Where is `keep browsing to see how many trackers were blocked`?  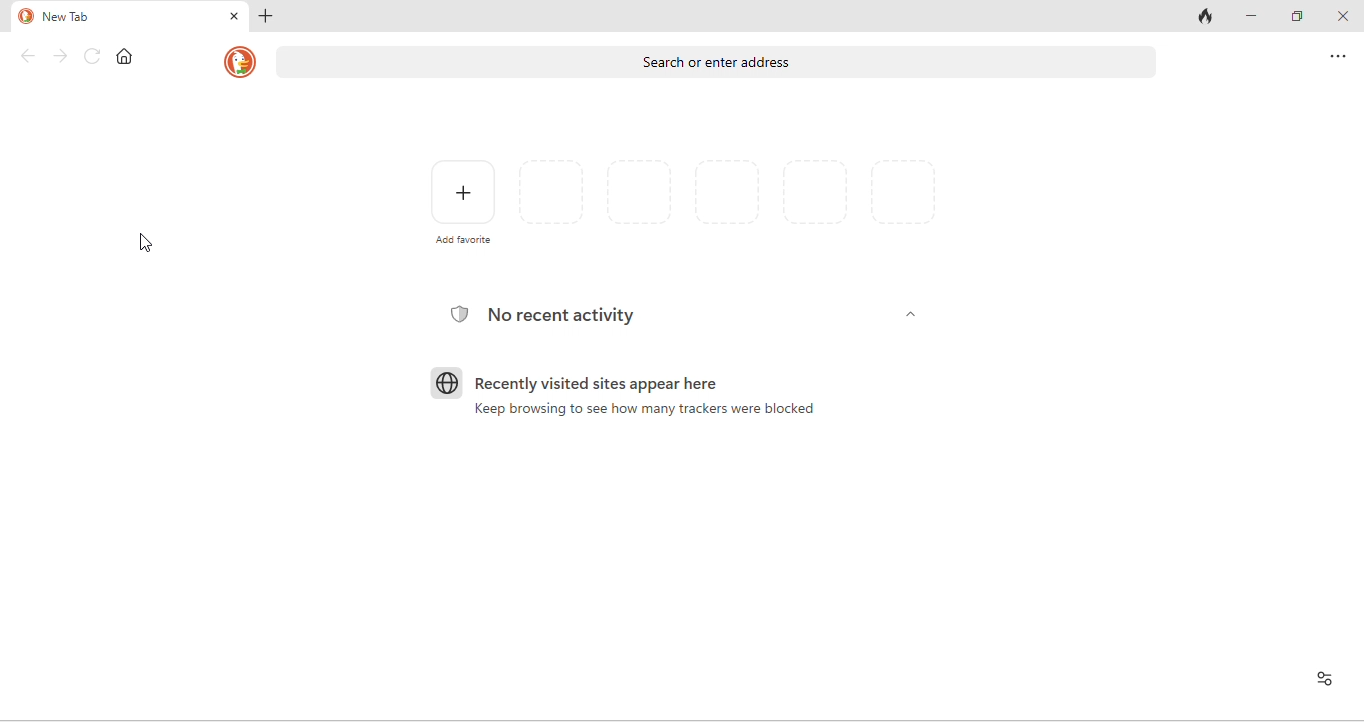
keep browsing to see how many trackers were blocked is located at coordinates (651, 411).